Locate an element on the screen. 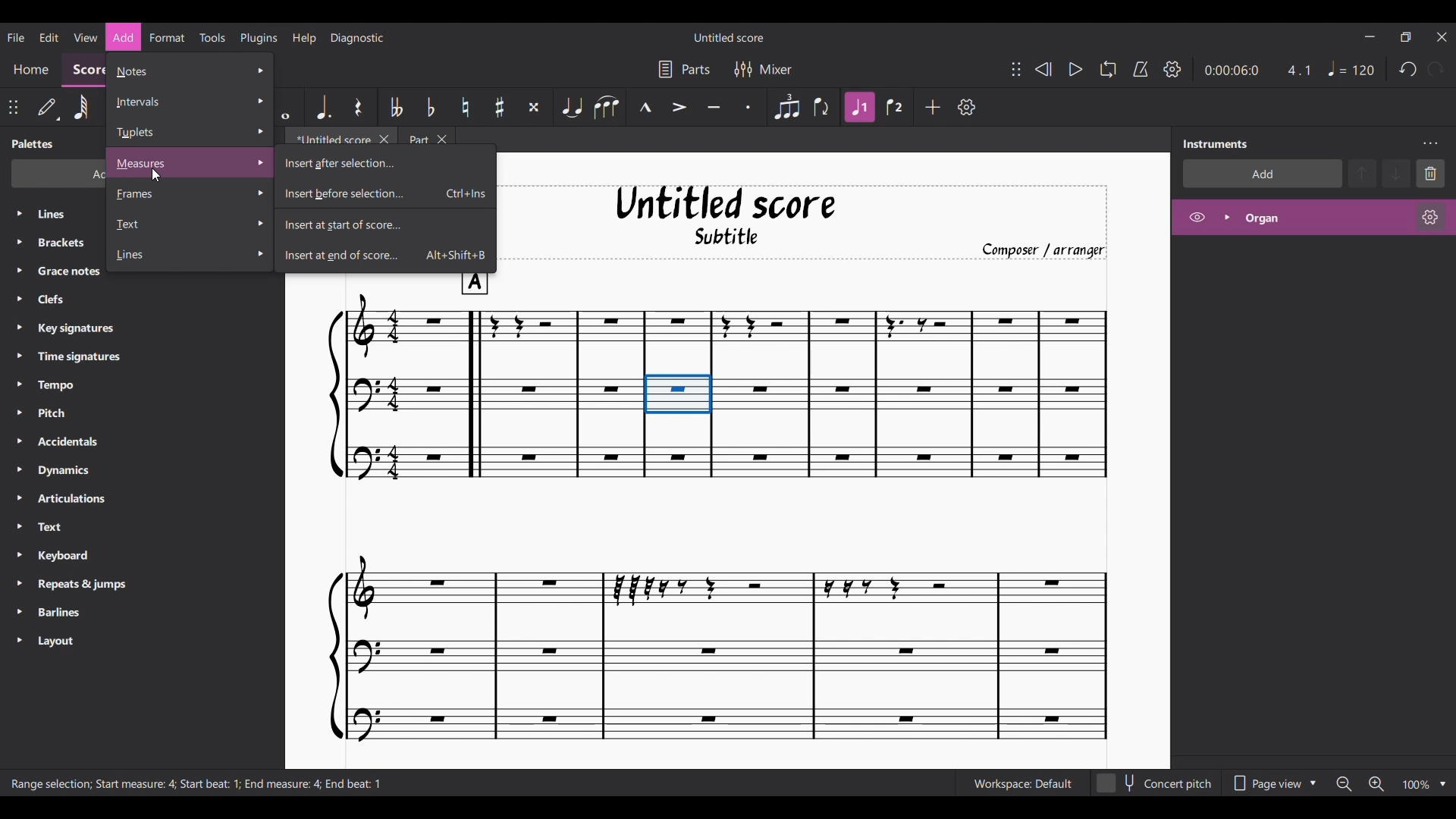 This screenshot has height=819, width=1456. Looping playback is located at coordinates (1107, 69).